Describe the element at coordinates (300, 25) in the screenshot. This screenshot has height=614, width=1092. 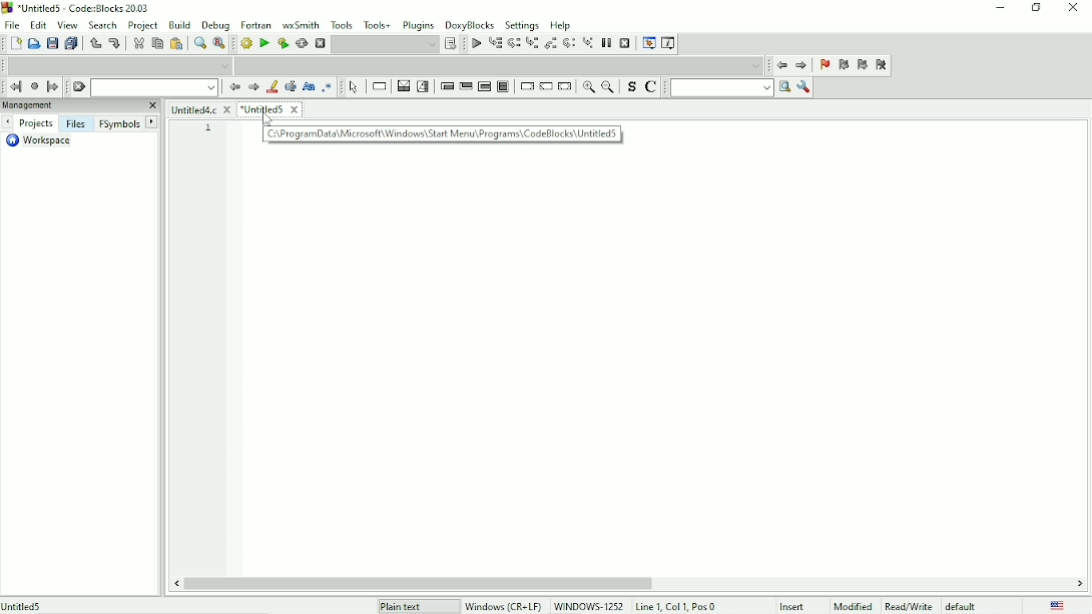
I see `wxSmith` at that location.